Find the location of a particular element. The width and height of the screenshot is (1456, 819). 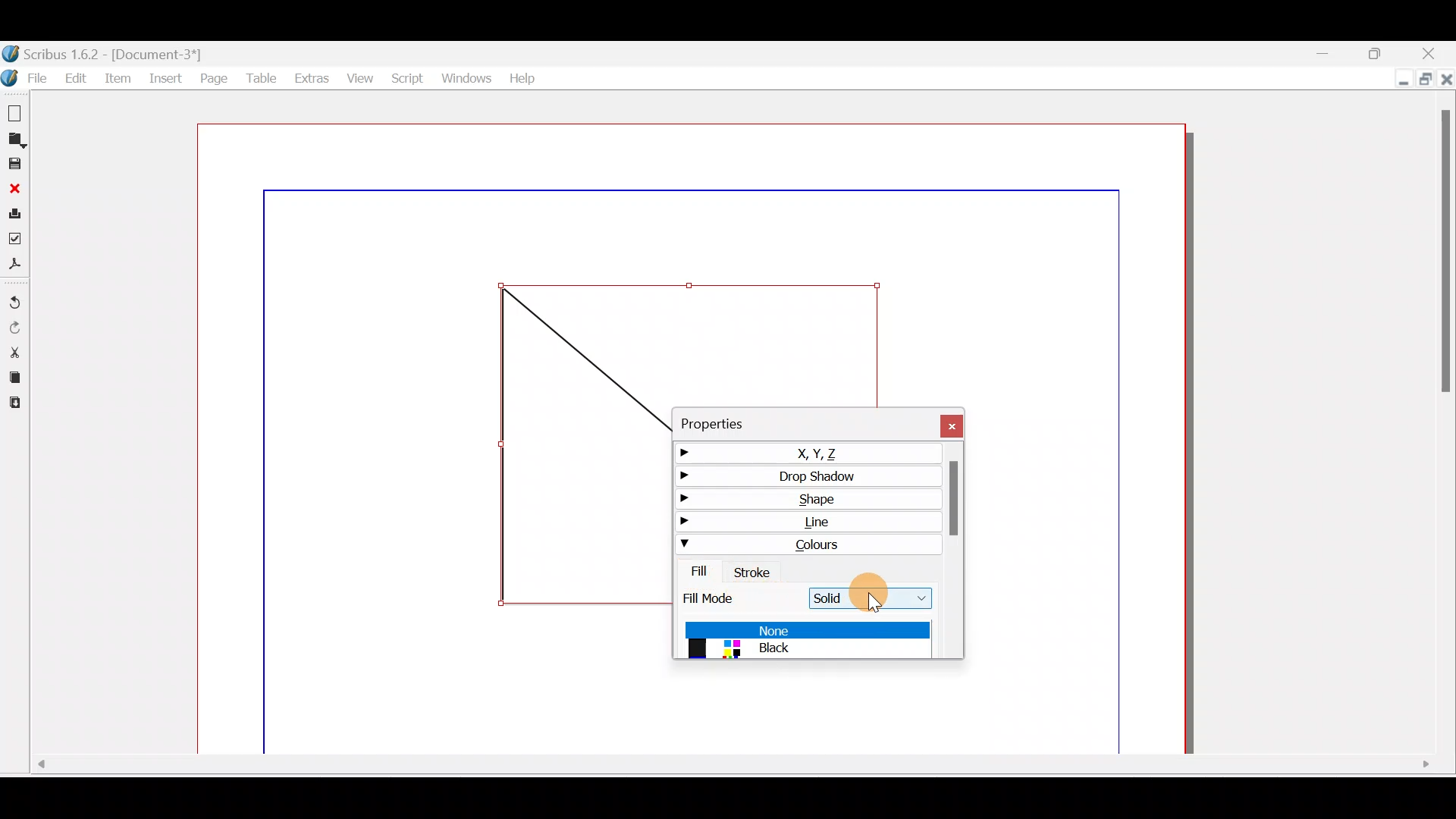

Cursor is located at coordinates (875, 595).